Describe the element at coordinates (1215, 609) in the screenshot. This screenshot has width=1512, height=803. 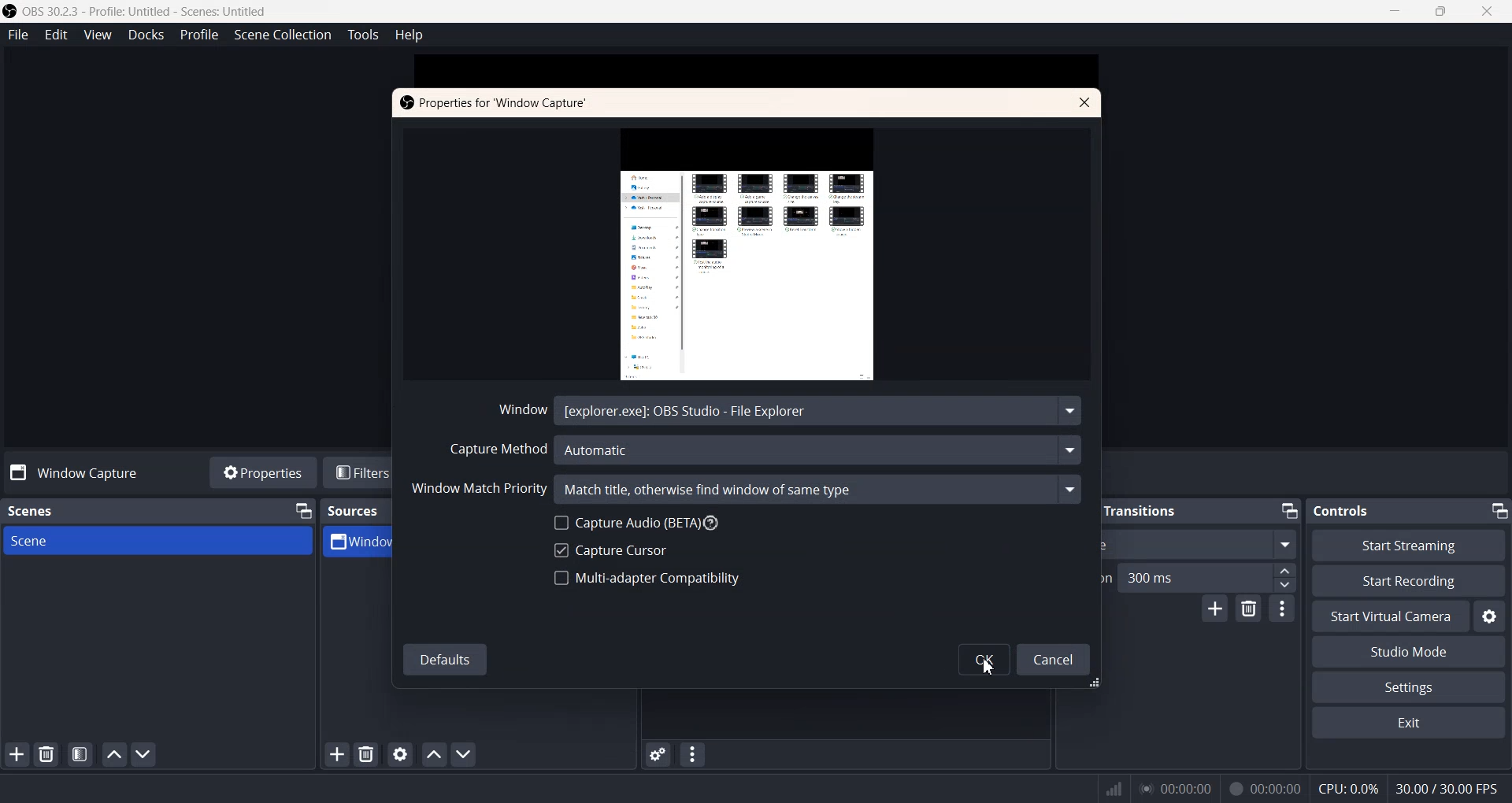
I see `Add configuration transition` at that location.